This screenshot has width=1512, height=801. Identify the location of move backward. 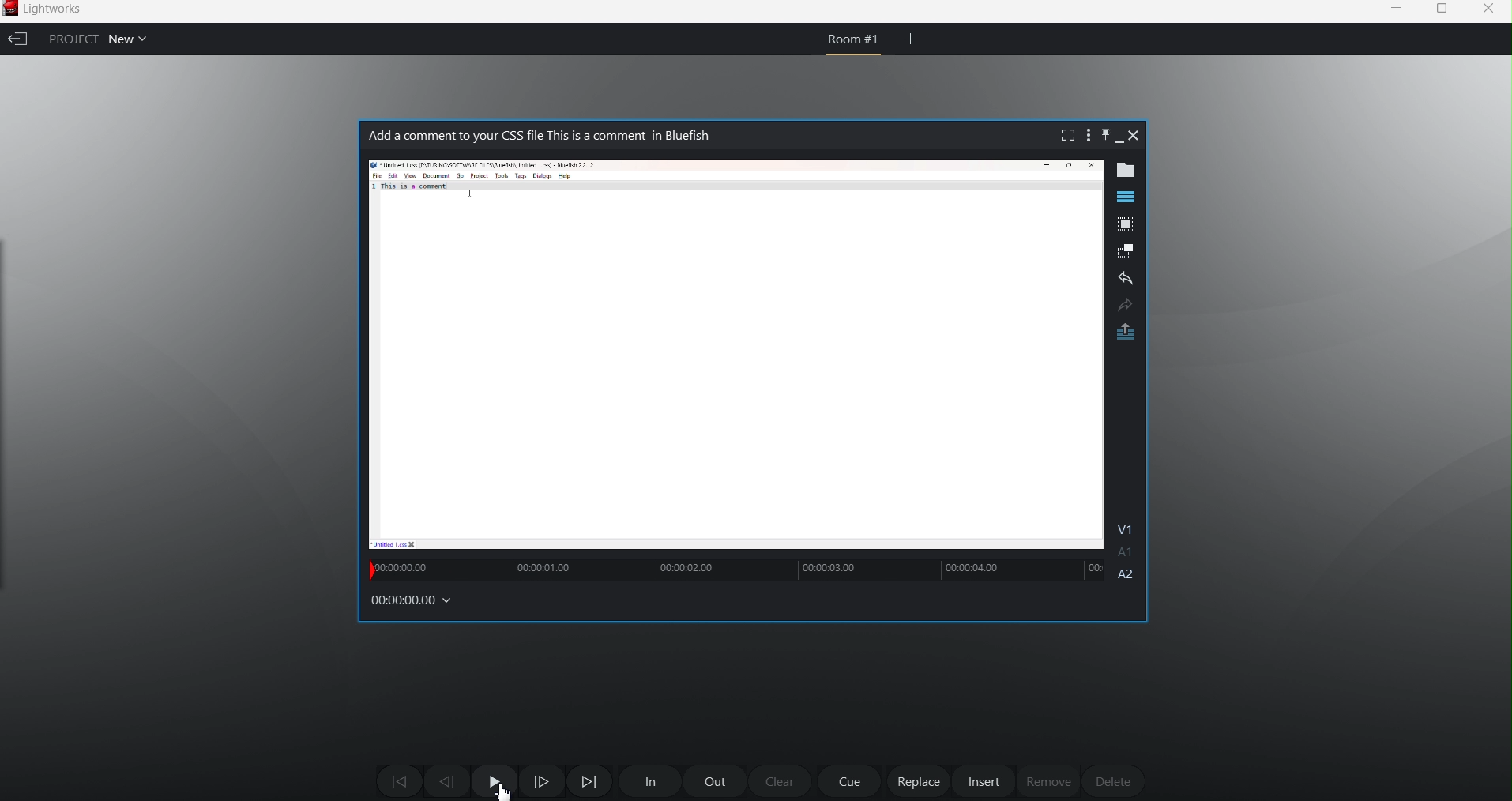
(399, 780).